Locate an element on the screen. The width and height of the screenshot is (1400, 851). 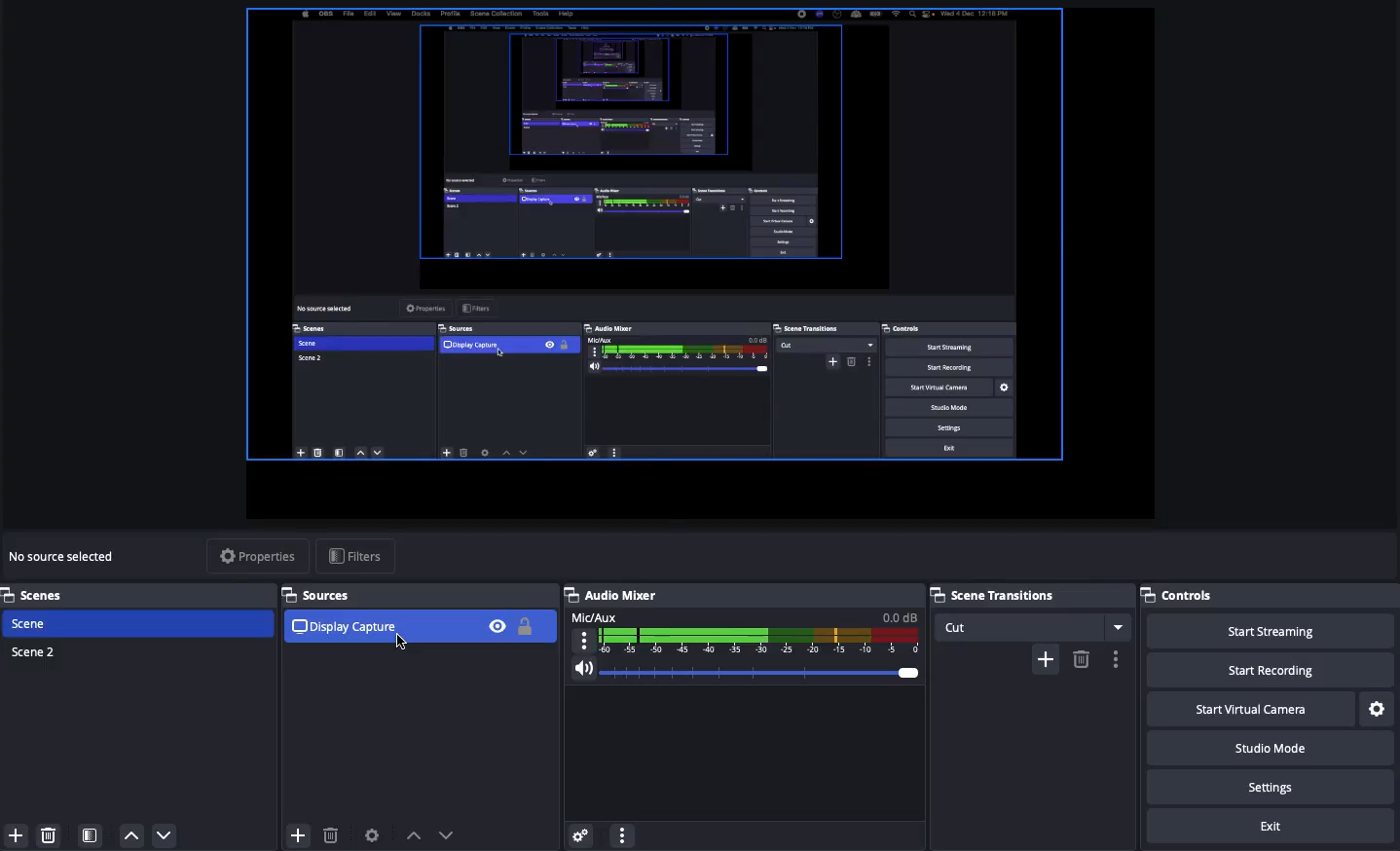
delete is located at coordinates (334, 835).